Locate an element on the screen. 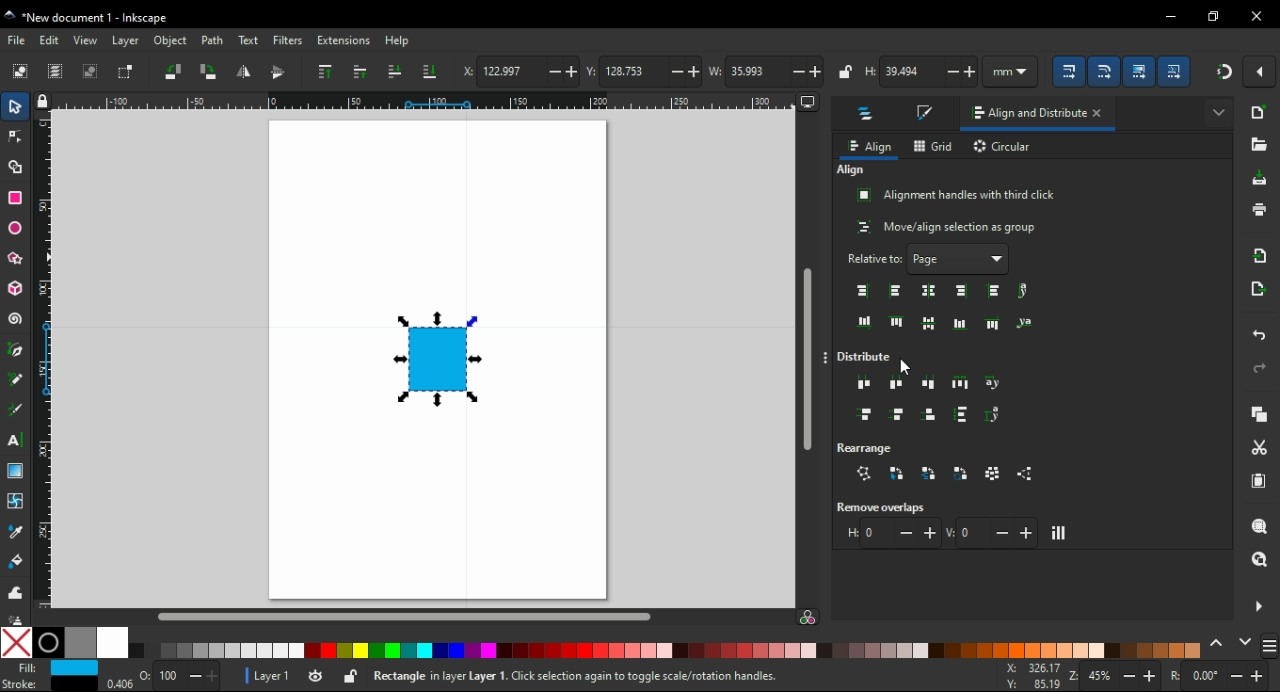 This screenshot has width=1280, height=692. distribute is located at coordinates (870, 357).